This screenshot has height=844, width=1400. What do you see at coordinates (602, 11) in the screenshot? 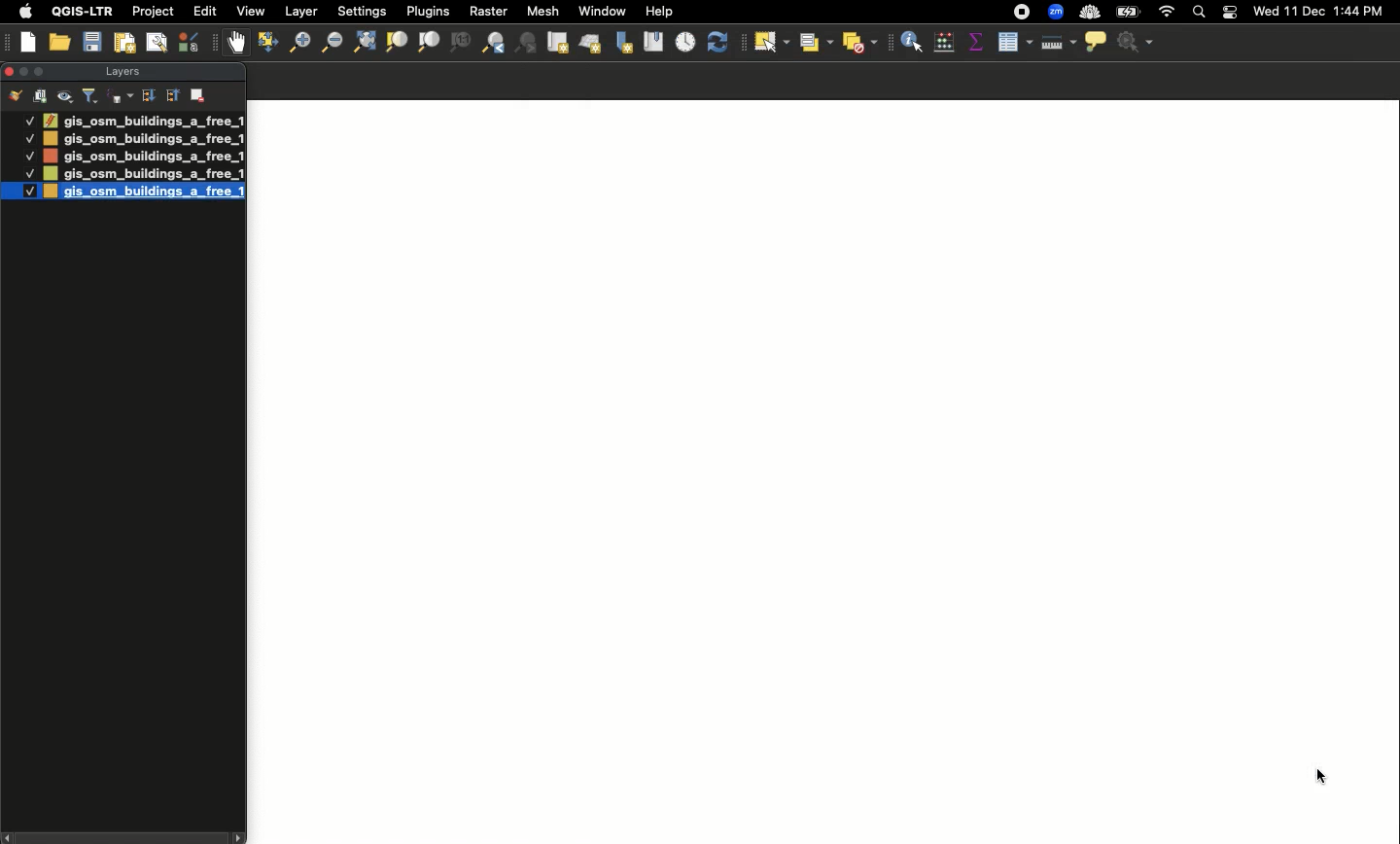
I see `Window` at bounding box center [602, 11].